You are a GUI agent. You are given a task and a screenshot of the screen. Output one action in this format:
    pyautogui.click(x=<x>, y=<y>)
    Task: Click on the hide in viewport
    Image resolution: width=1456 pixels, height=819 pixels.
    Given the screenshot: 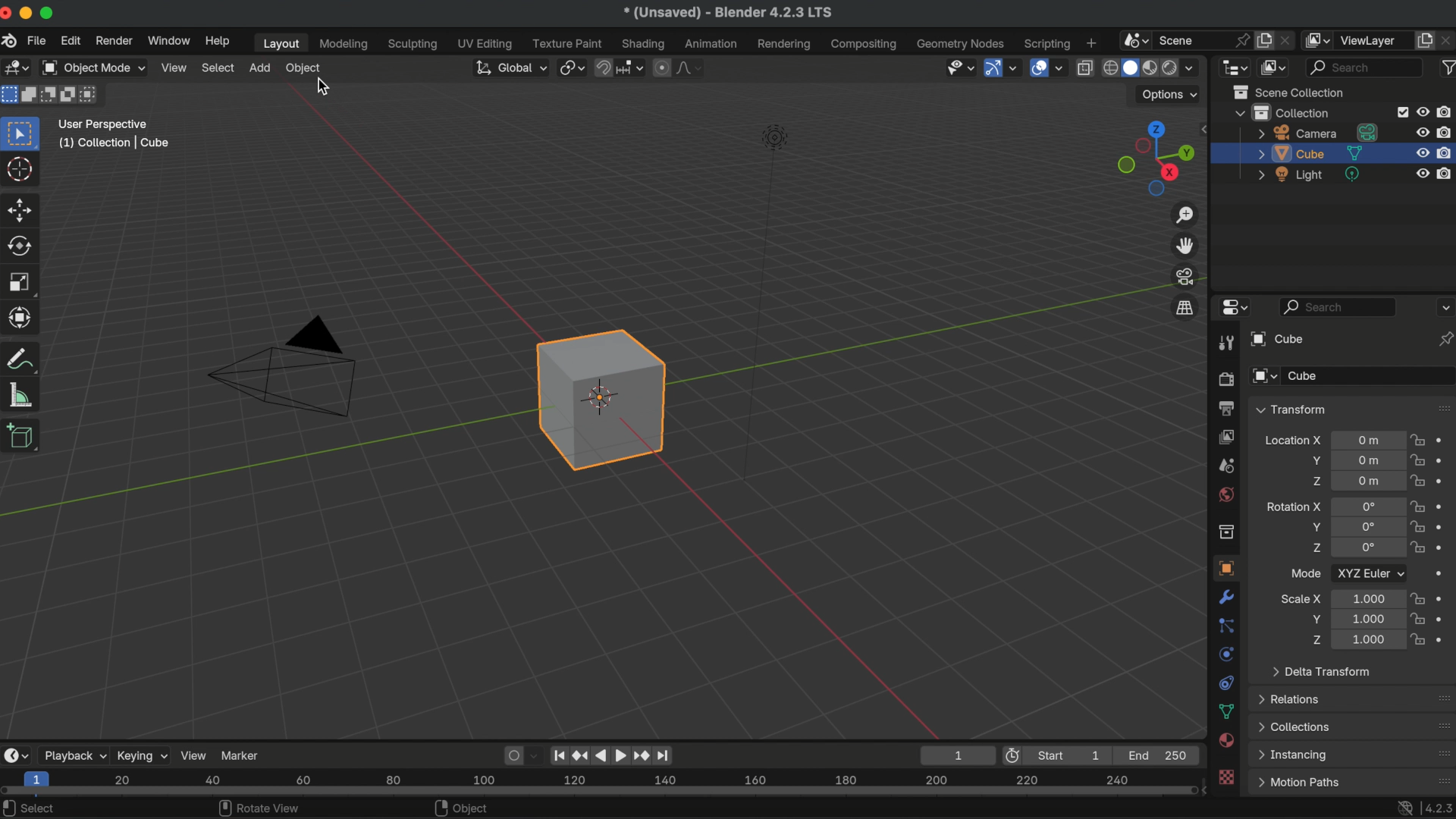 What is the action you would take?
    pyautogui.click(x=1423, y=174)
    